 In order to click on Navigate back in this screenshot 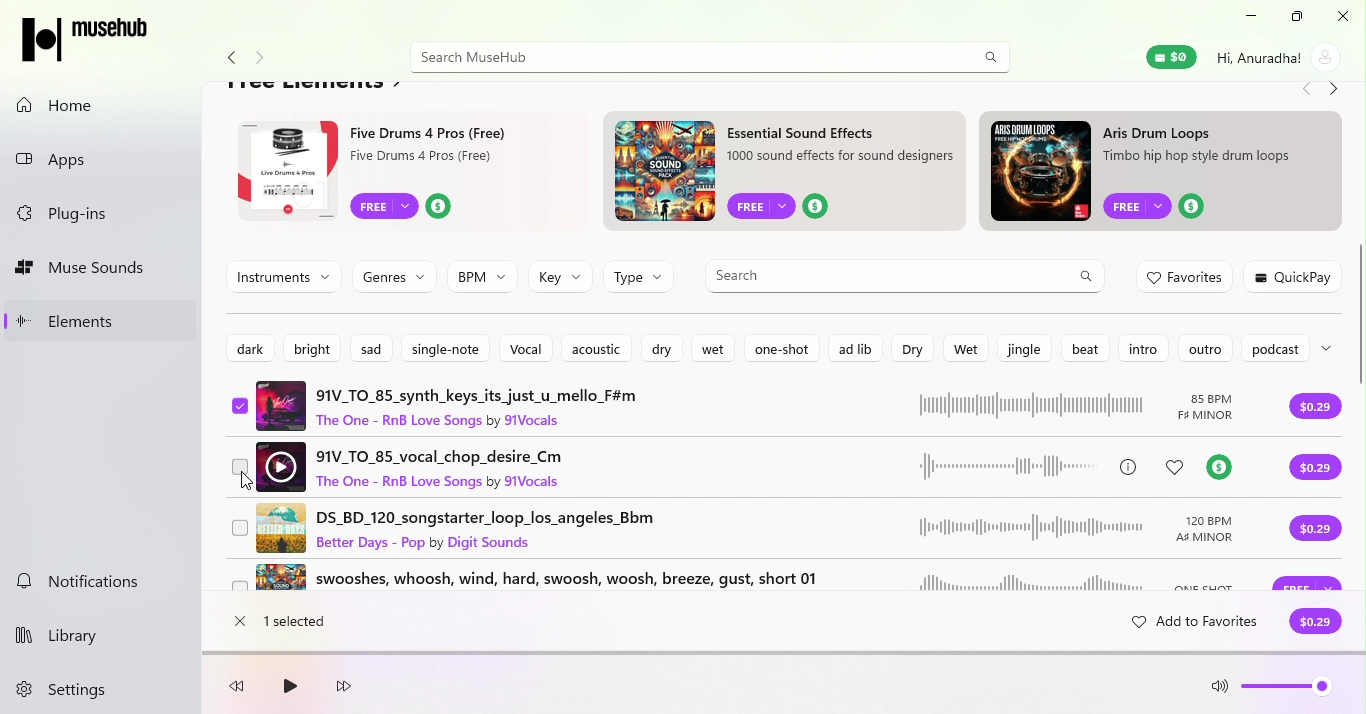, I will do `click(1304, 91)`.